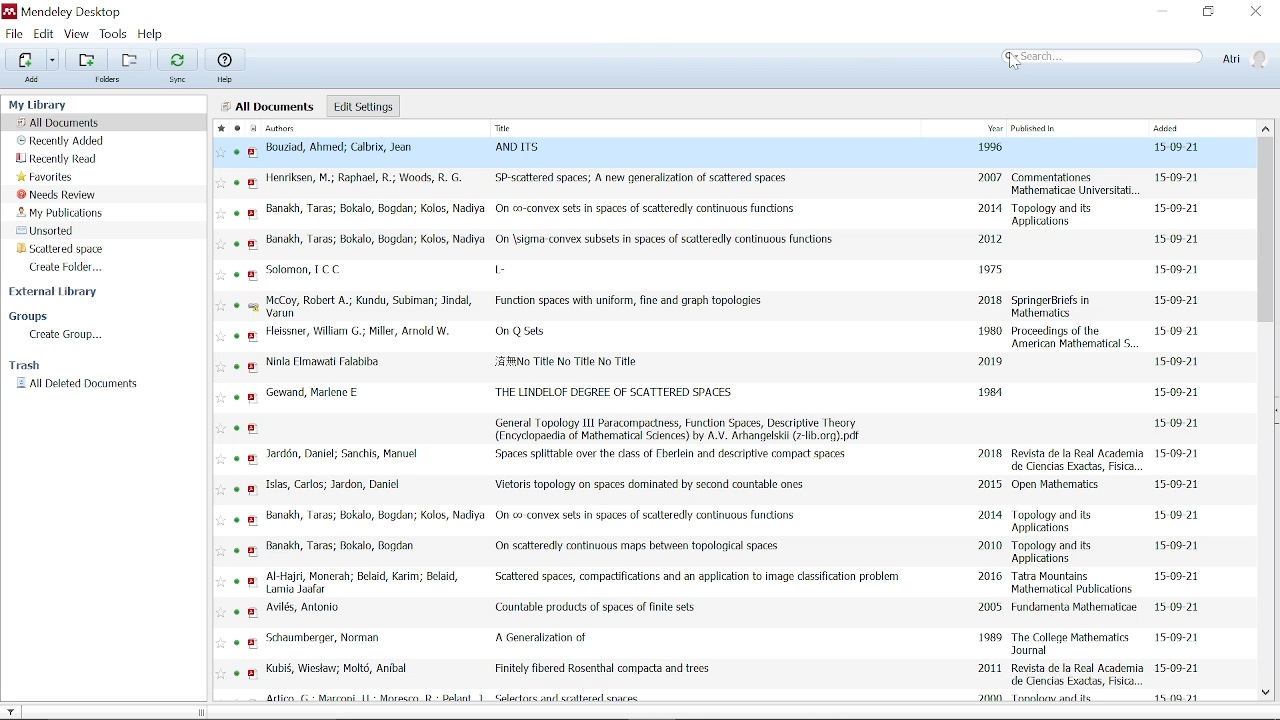  I want to click on Avilés, Antonio Countable products of spaces of finite sets 2005 Fundamenta Mathematicoe 15 09 21, so click(727, 613).